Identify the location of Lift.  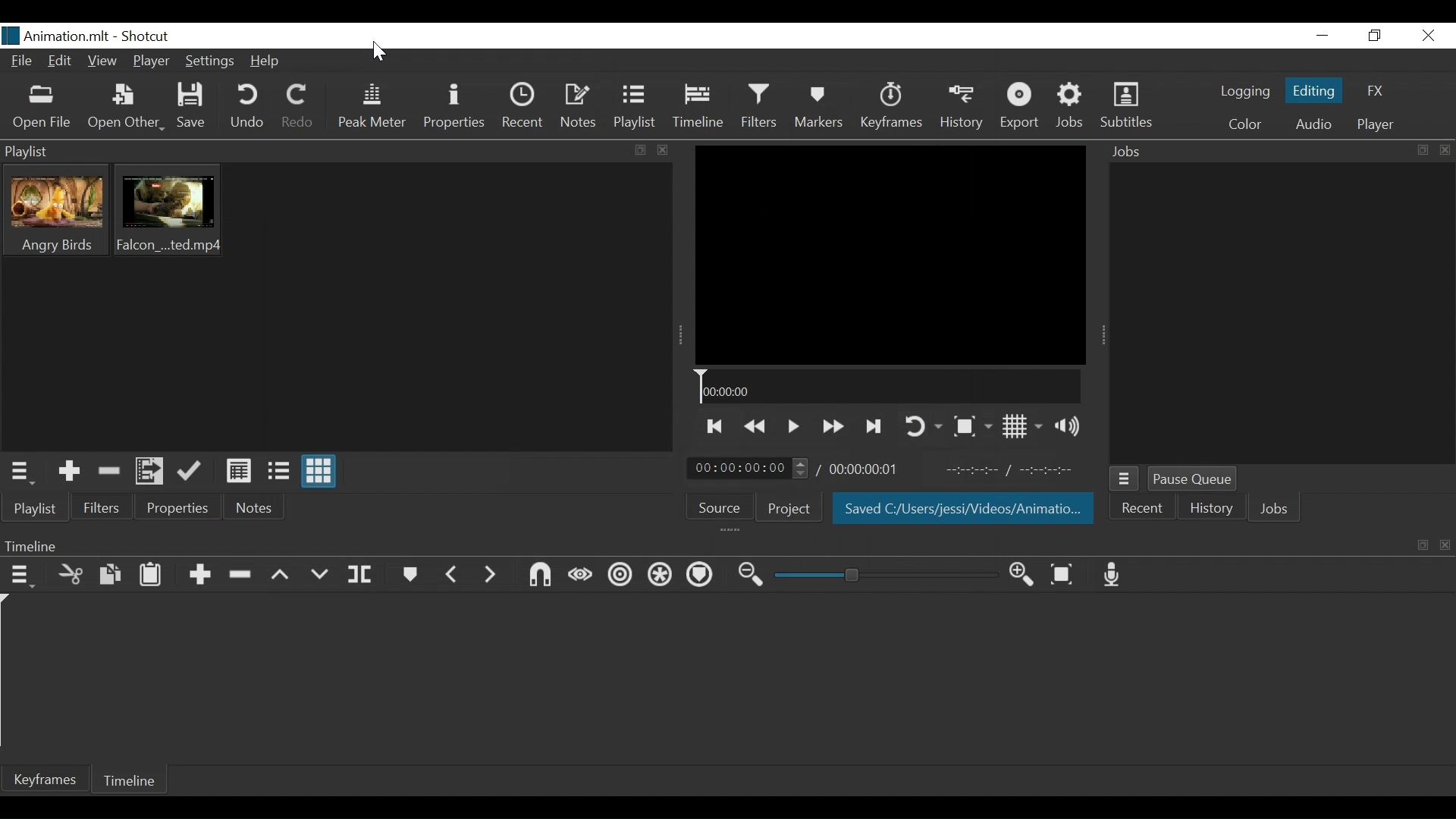
(283, 576).